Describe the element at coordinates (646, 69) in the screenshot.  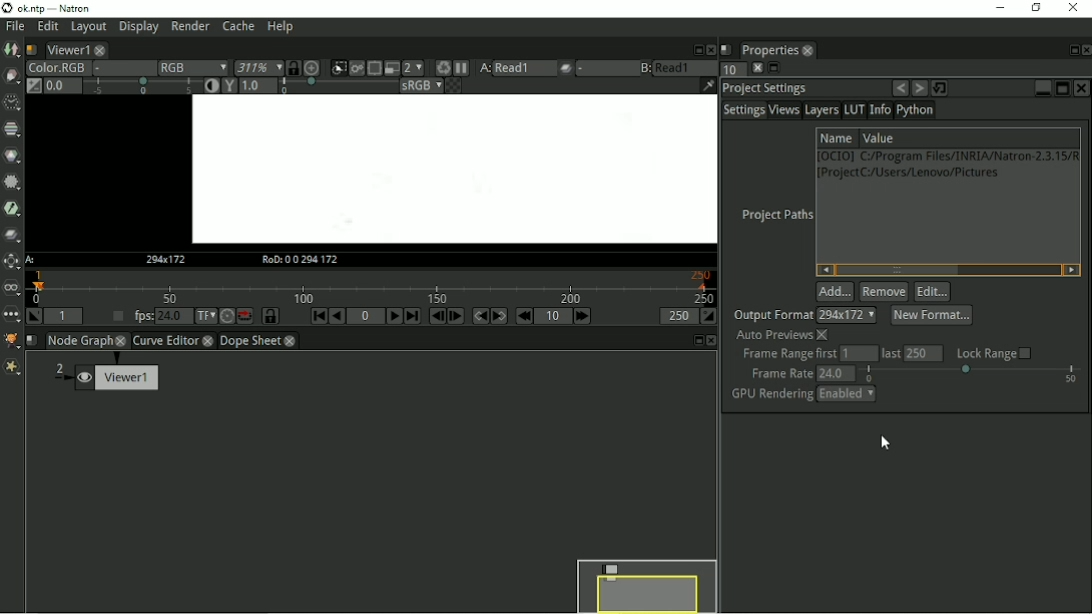
I see `Viewer input B` at that location.